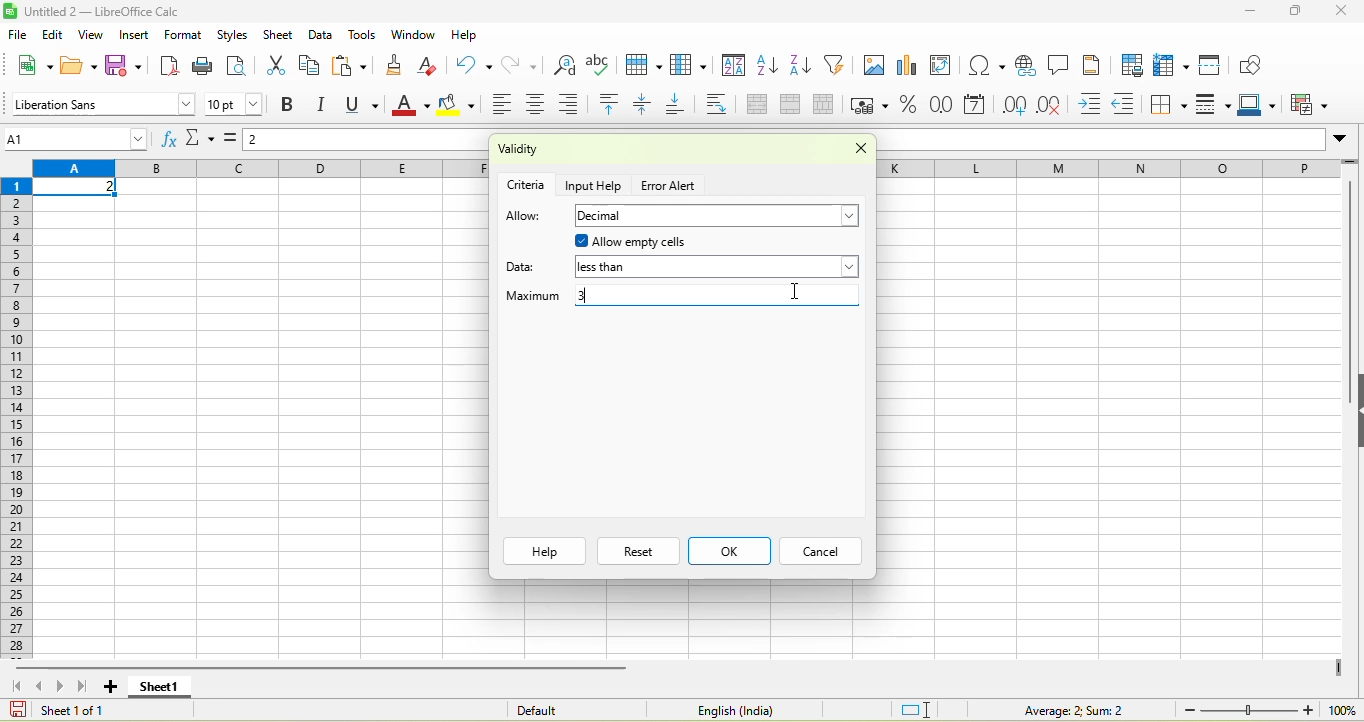 The height and width of the screenshot is (722, 1364). I want to click on zoom percentage, so click(1342, 709).